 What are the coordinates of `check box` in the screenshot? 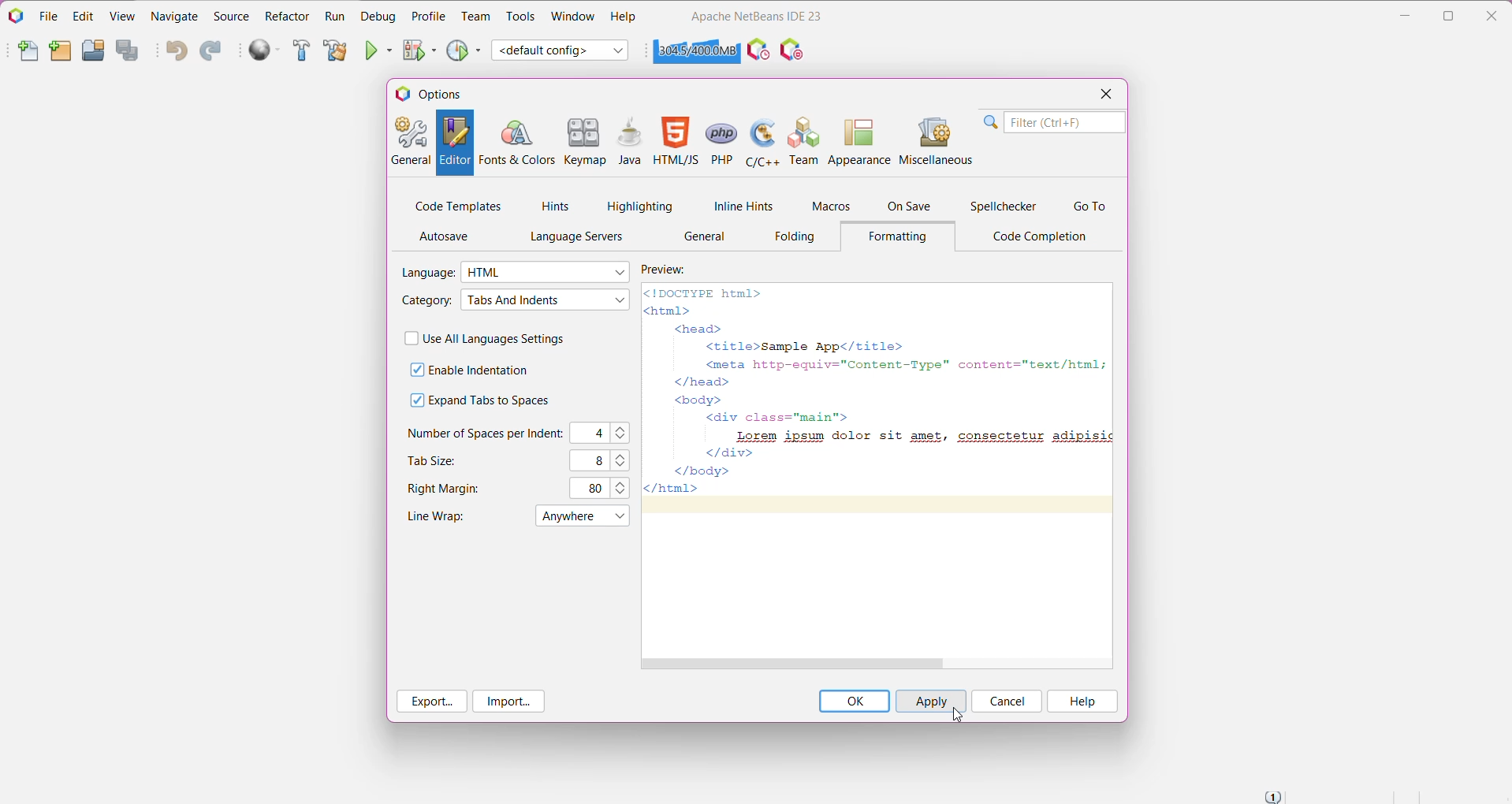 It's located at (414, 369).